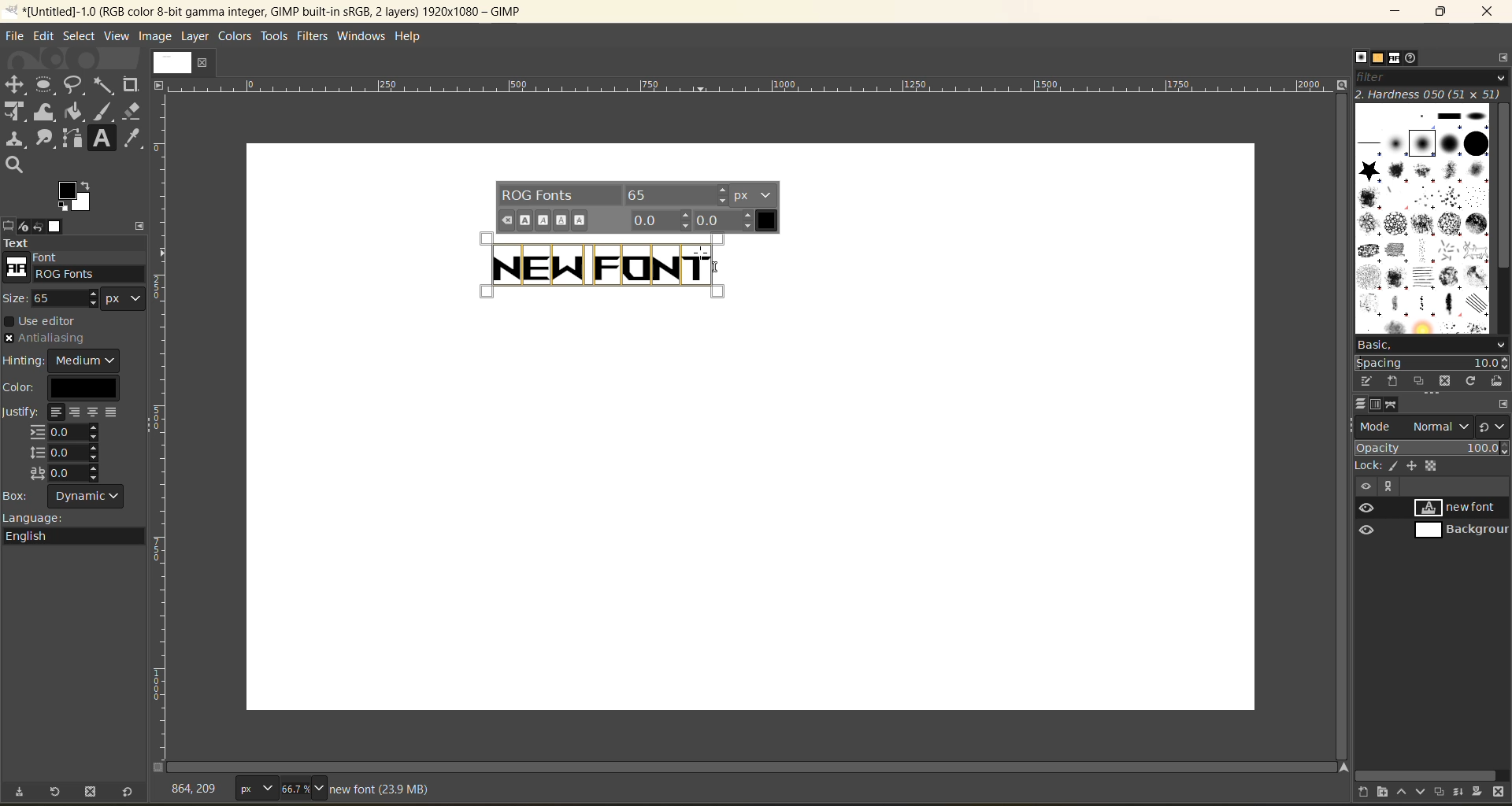 This screenshot has width=1512, height=806. What do you see at coordinates (1495, 427) in the screenshot?
I see `switch to another group of modes` at bounding box center [1495, 427].